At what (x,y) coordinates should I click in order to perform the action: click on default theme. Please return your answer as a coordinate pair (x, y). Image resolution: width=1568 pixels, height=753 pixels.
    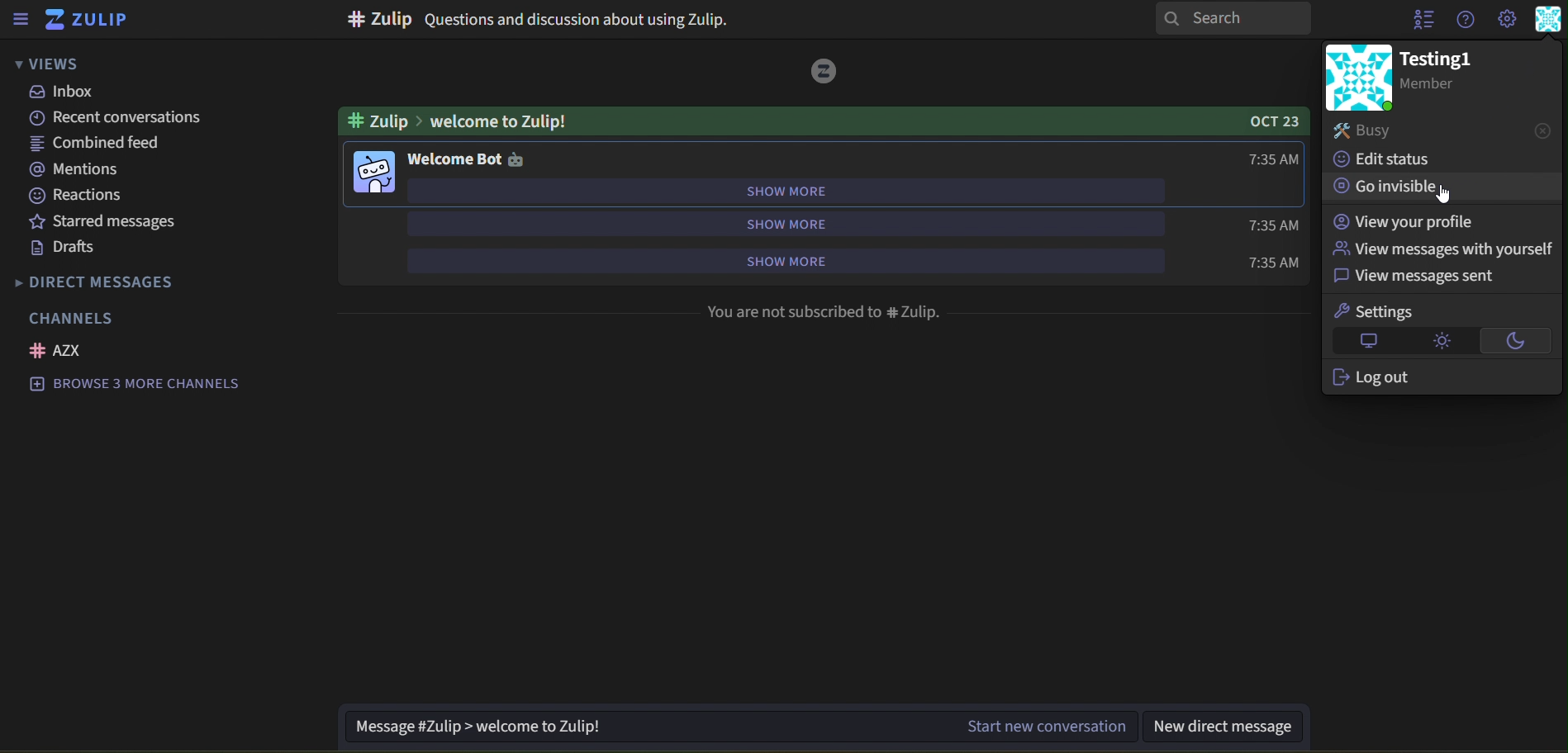
    Looking at the image, I should click on (1364, 342).